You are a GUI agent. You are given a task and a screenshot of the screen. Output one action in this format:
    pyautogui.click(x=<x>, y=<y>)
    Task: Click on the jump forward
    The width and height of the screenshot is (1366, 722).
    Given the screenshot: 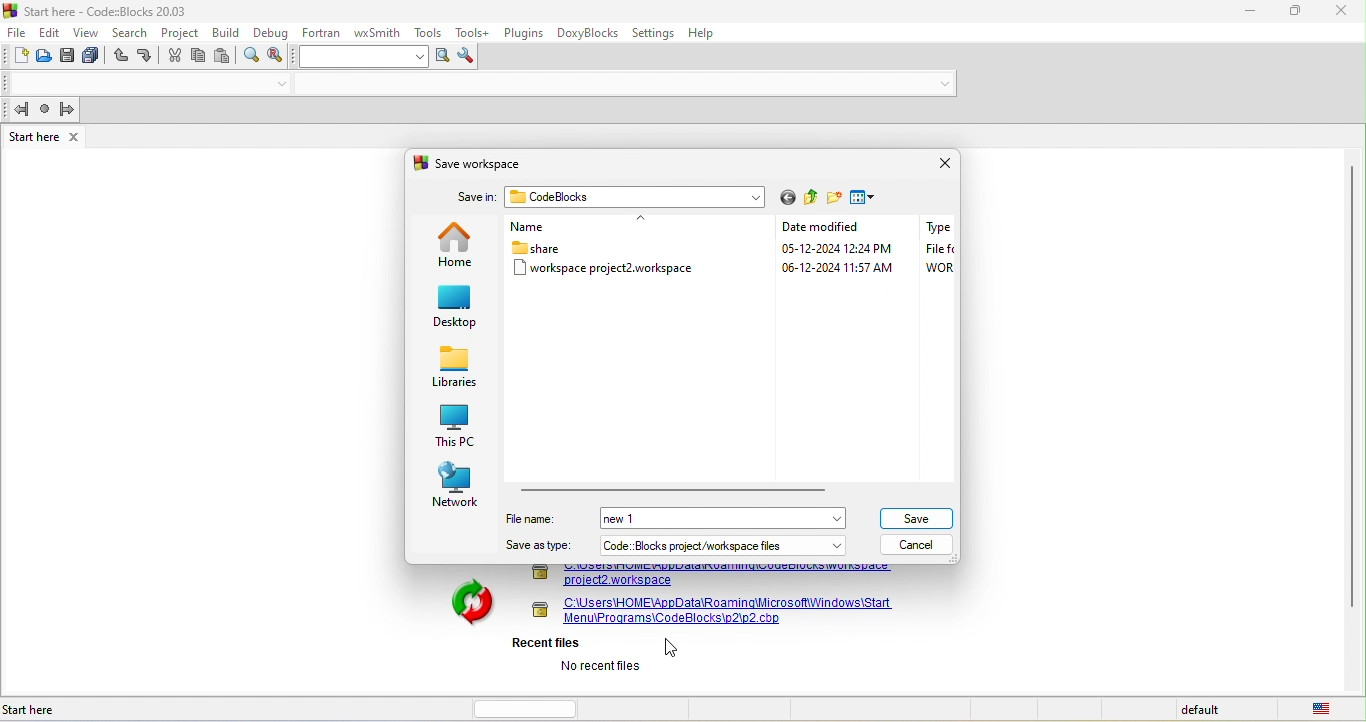 What is the action you would take?
    pyautogui.click(x=70, y=109)
    